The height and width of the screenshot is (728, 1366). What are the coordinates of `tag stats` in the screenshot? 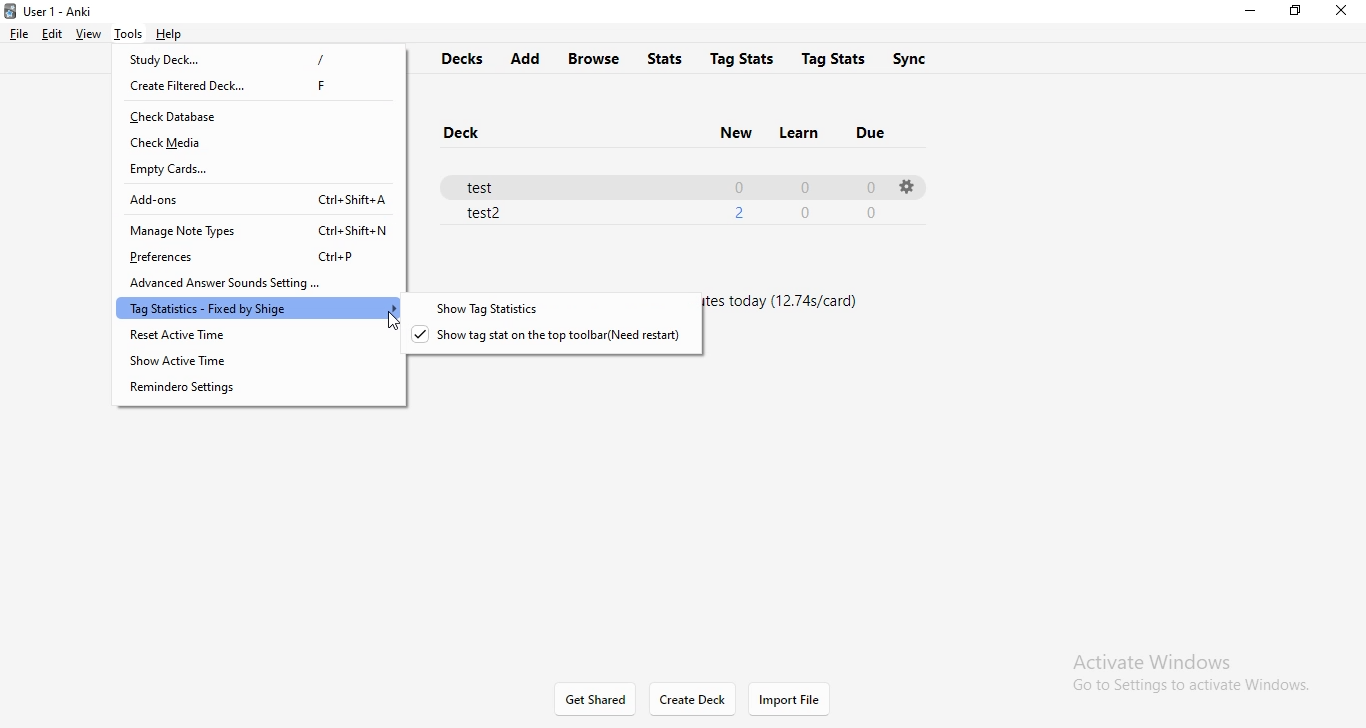 It's located at (737, 59).